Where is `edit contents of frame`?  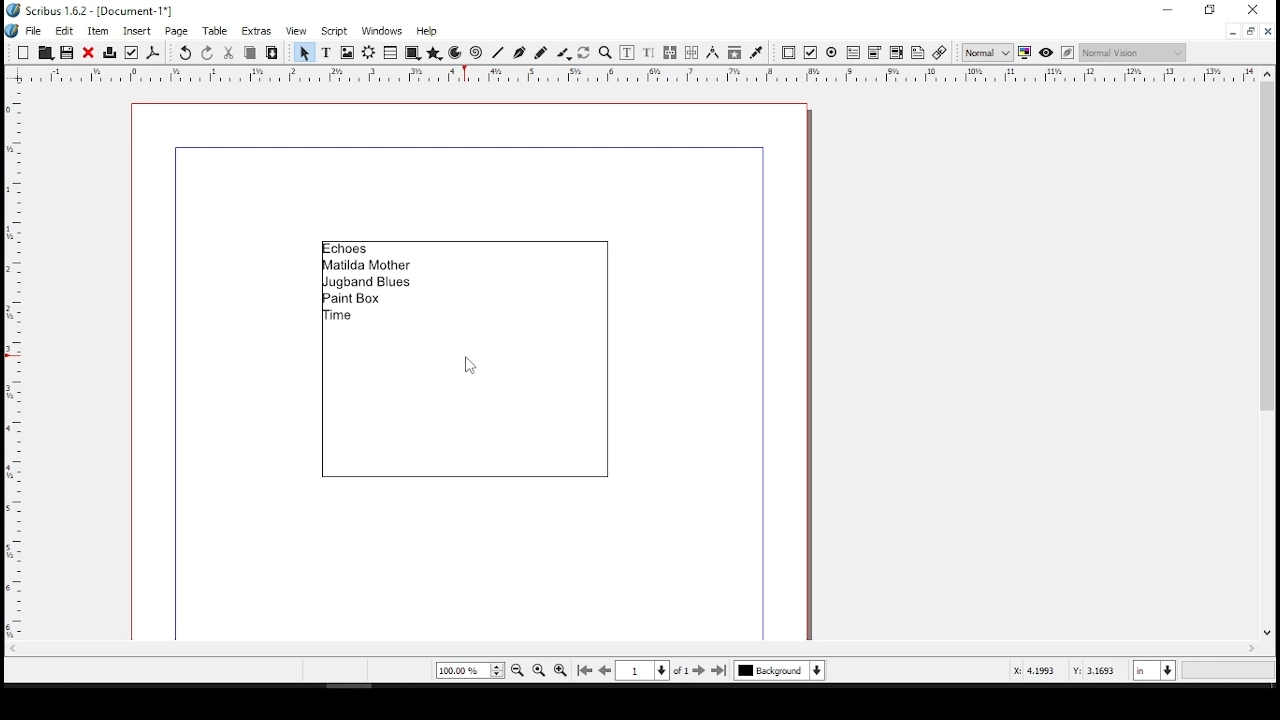
edit contents of frame is located at coordinates (626, 53).